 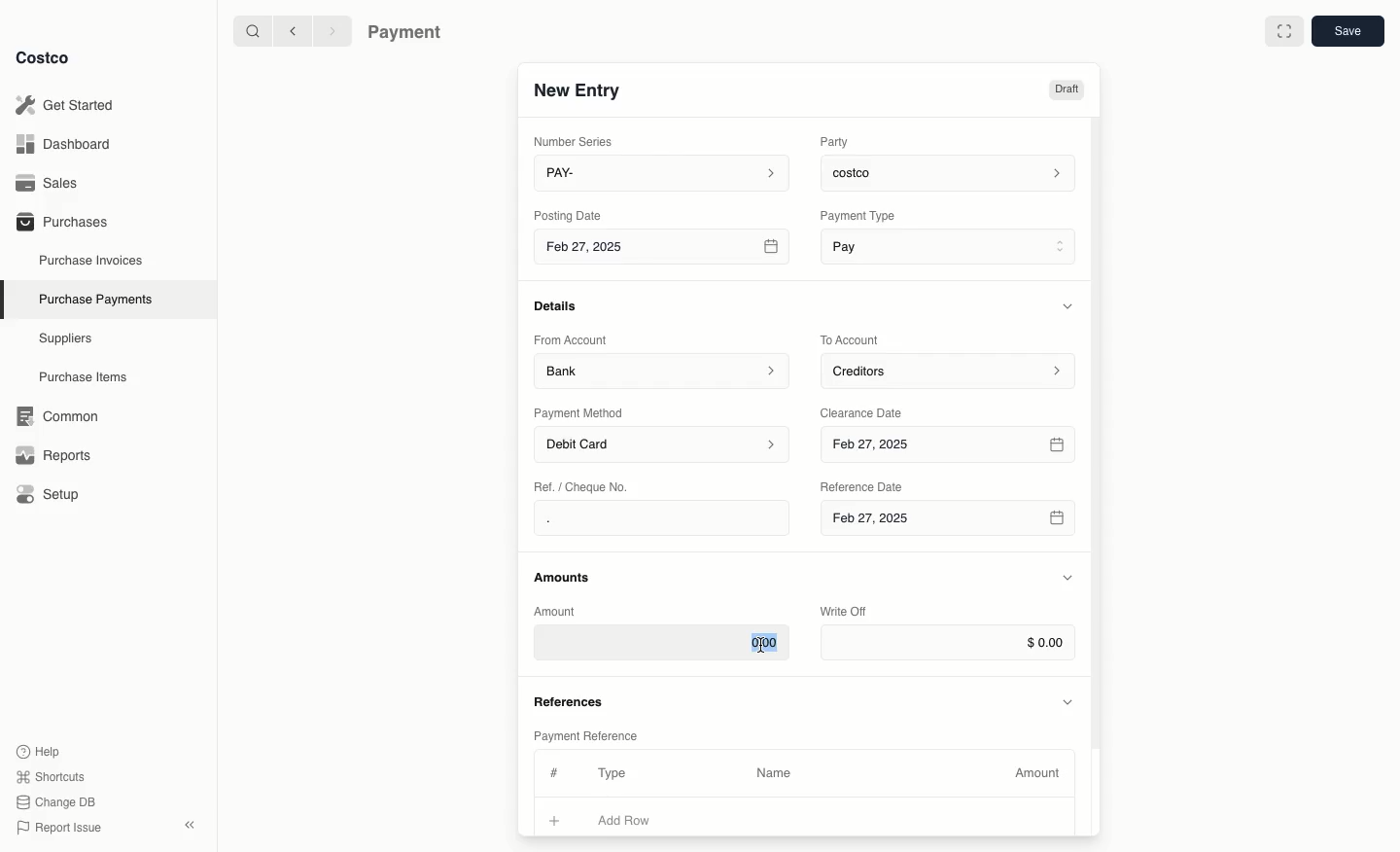 I want to click on References, so click(x=572, y=699).